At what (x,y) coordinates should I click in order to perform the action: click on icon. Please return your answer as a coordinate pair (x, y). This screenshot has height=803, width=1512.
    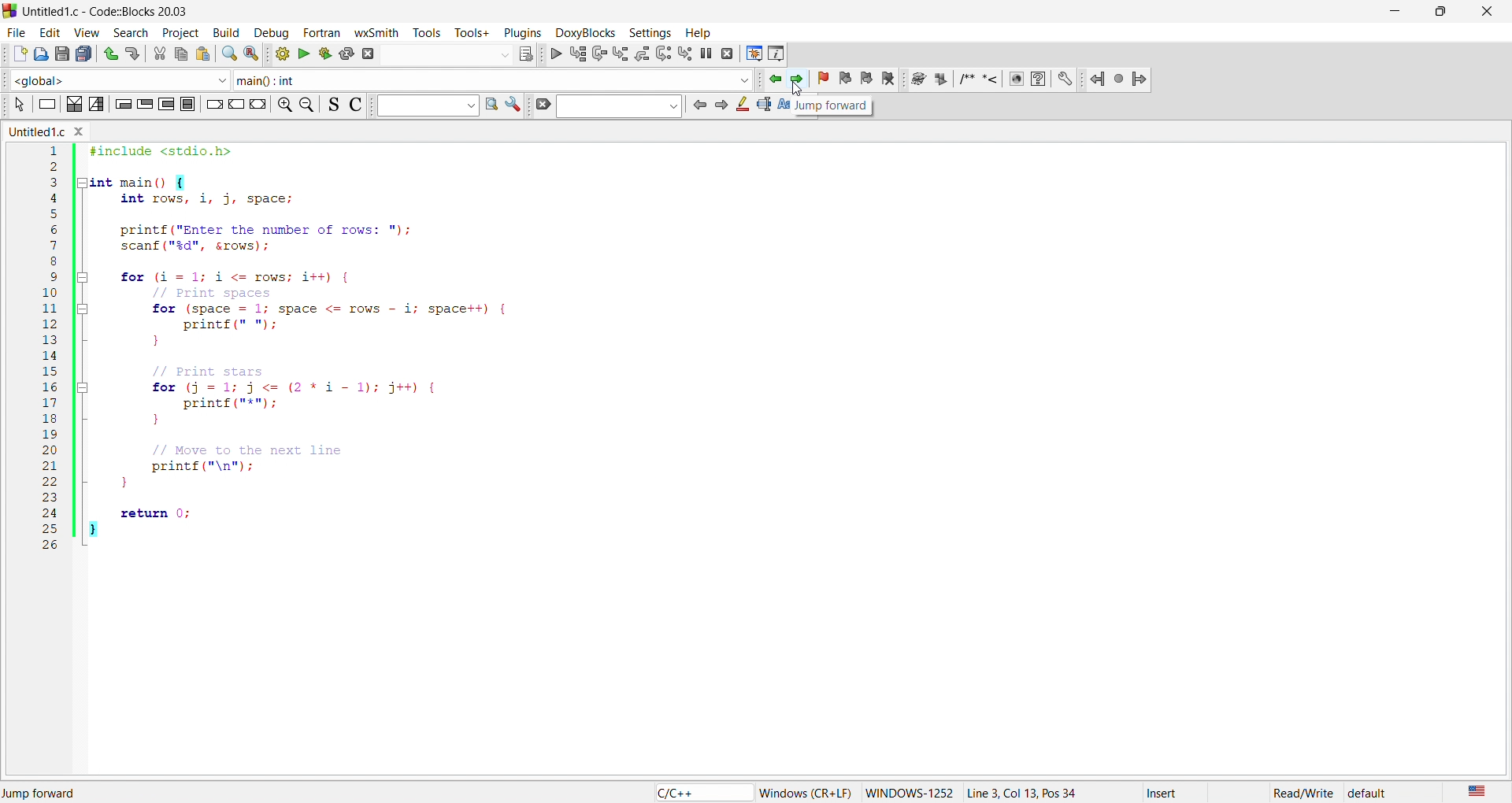
    Looking at the image, I should click on (211, 103).